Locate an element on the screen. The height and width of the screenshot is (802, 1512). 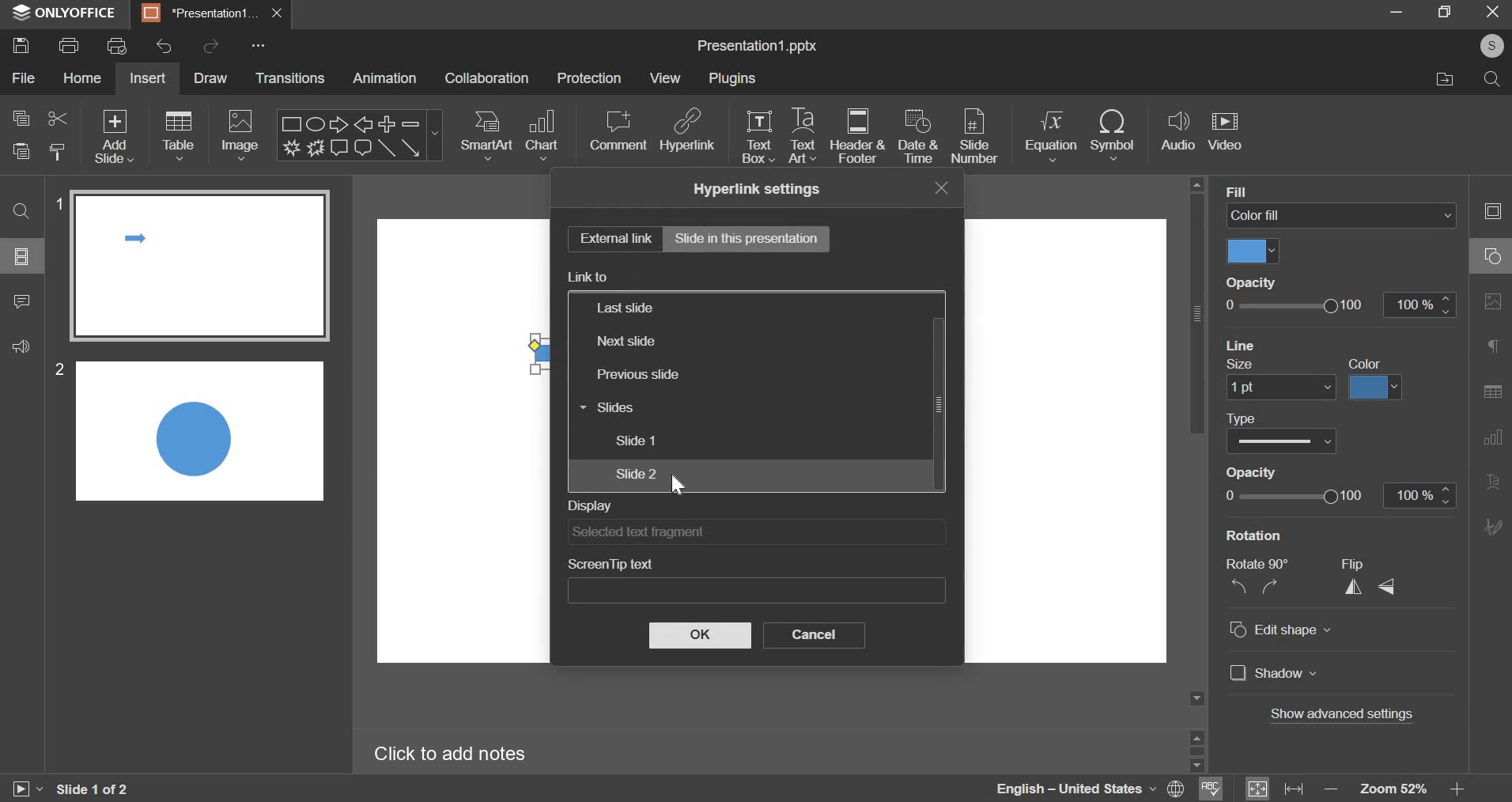
slide 2 is located at coordinates (636, 473).